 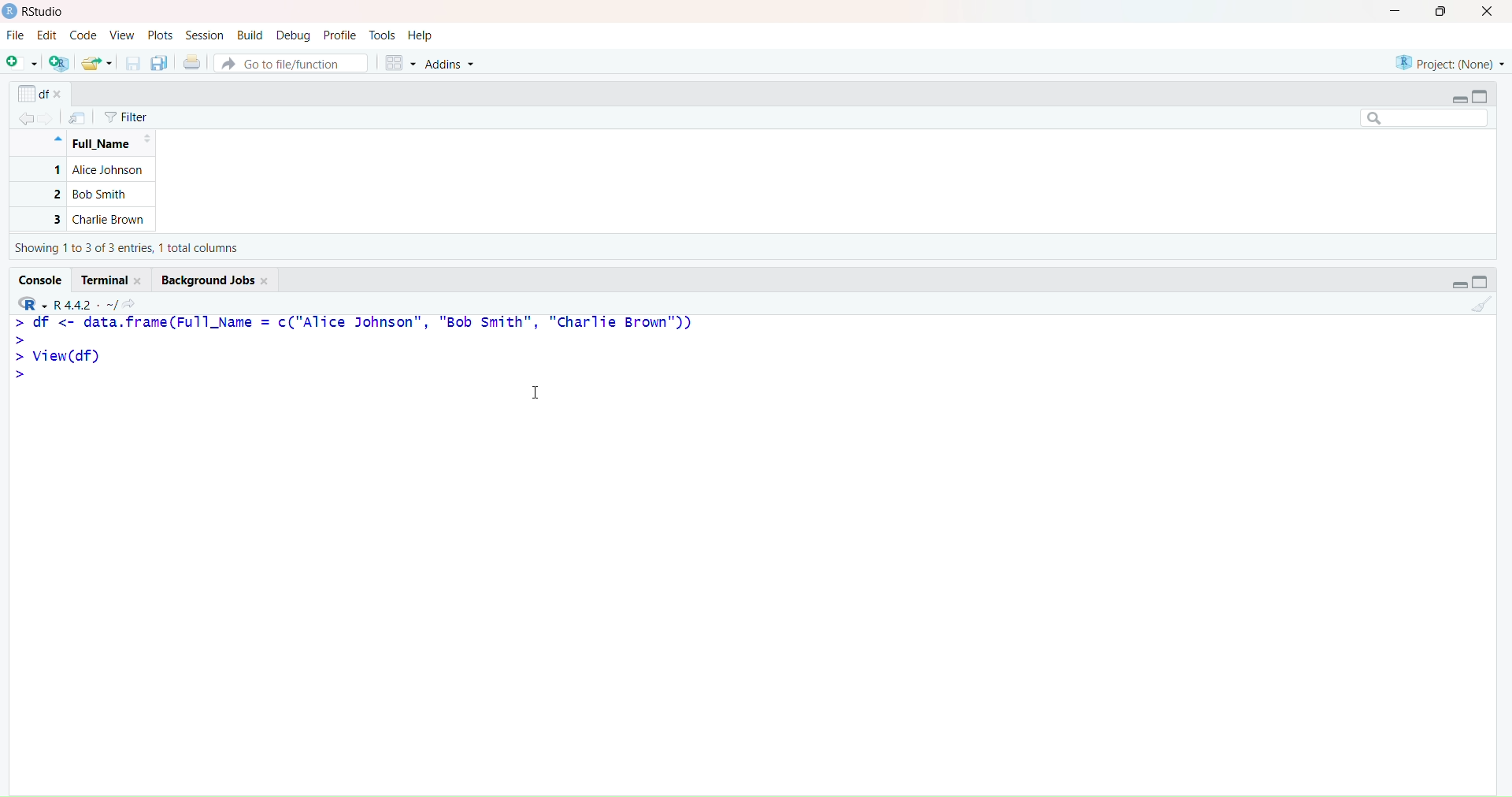 What do you see at coordinates (250, 34) in the screenshot?
I see `Build` at bounding box center [250, 34].